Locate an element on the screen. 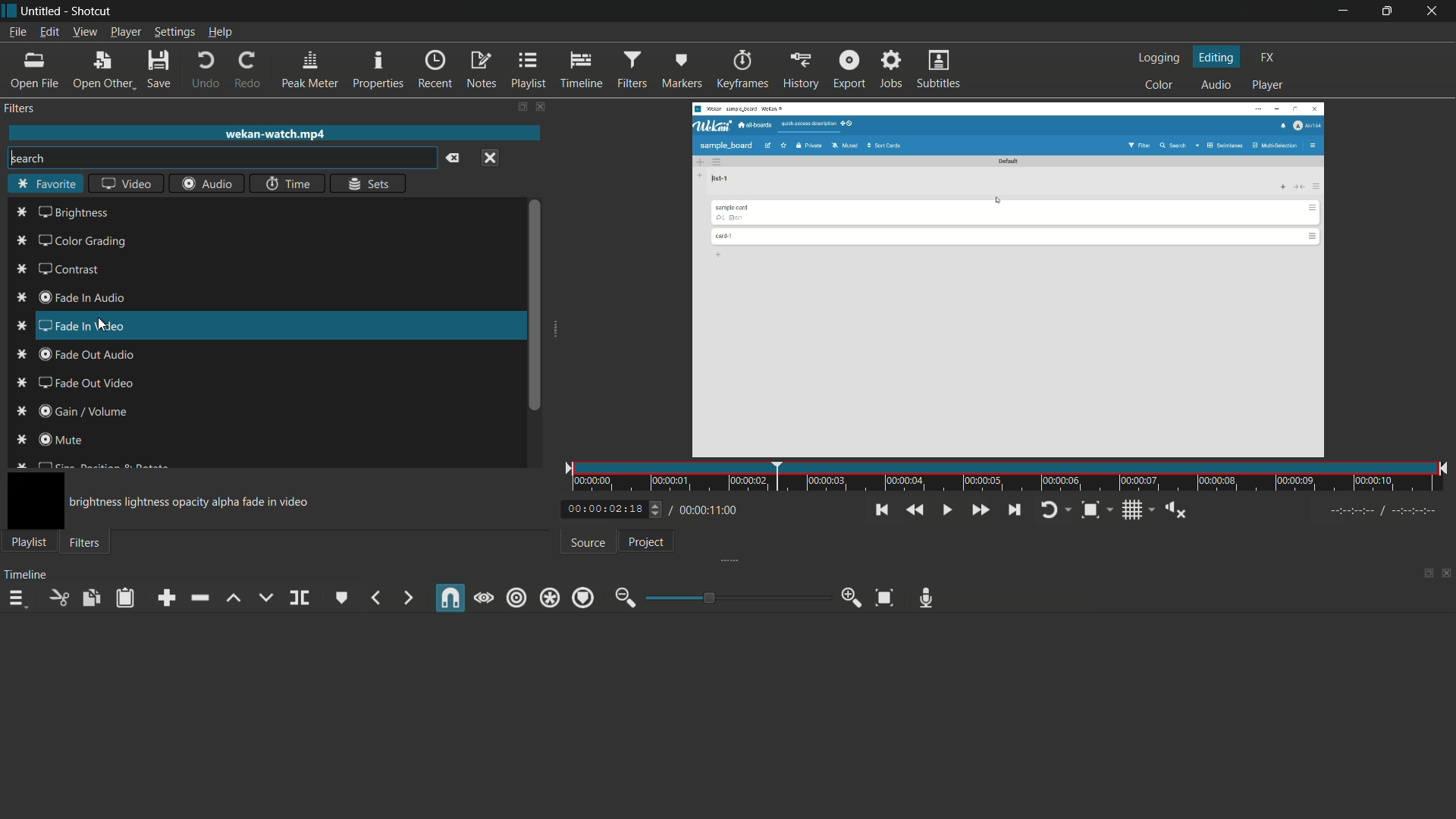  project name is located at coordinates (40, 11).